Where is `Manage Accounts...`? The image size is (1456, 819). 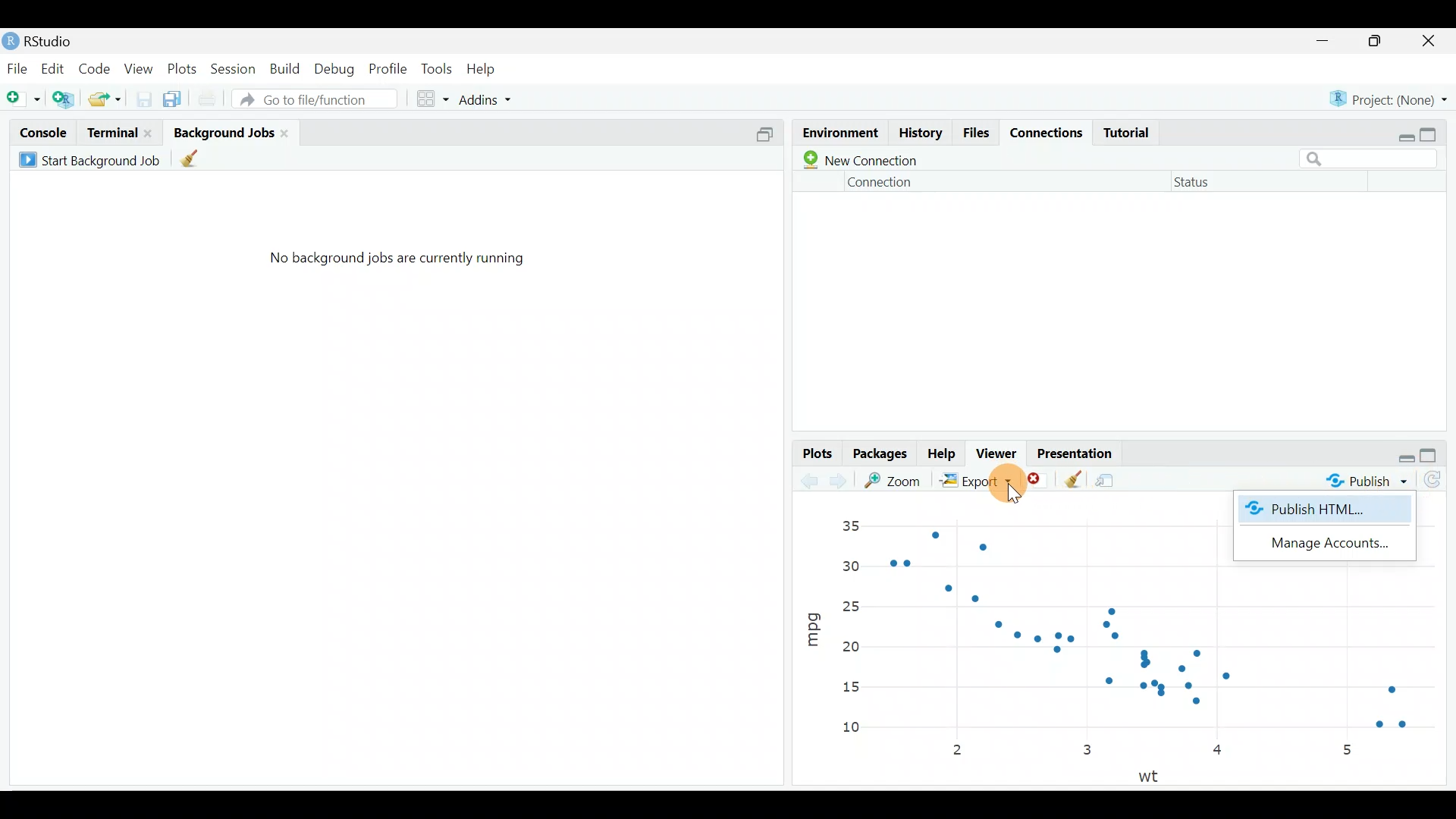 Manage Accounts... is located at coordinates (1319, 547).